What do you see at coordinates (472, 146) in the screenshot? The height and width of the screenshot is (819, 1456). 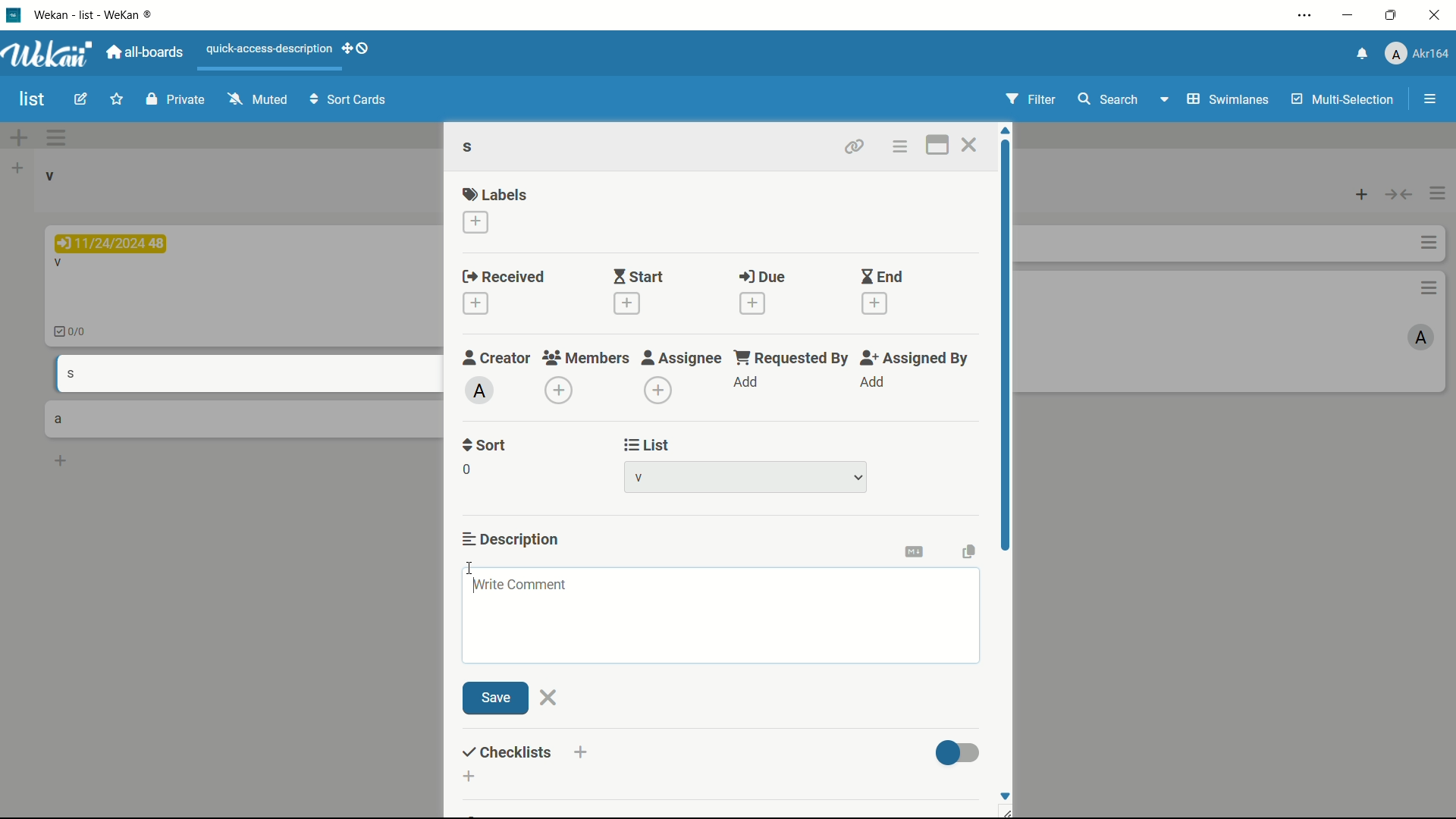 I see `s` at bounding box center [472, 146].